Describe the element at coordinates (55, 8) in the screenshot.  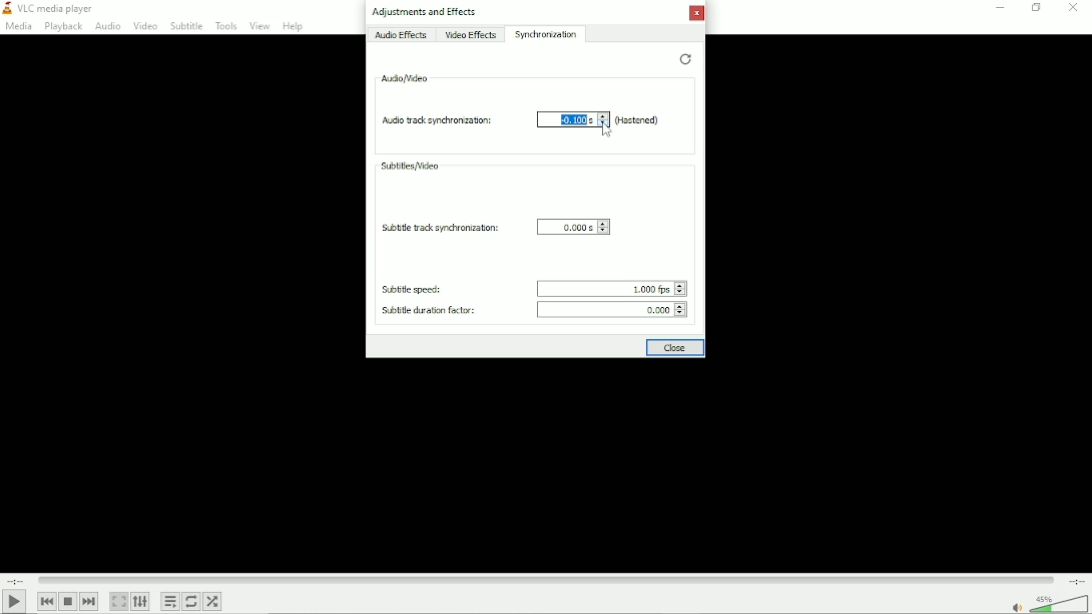
I see `Title` at that location.